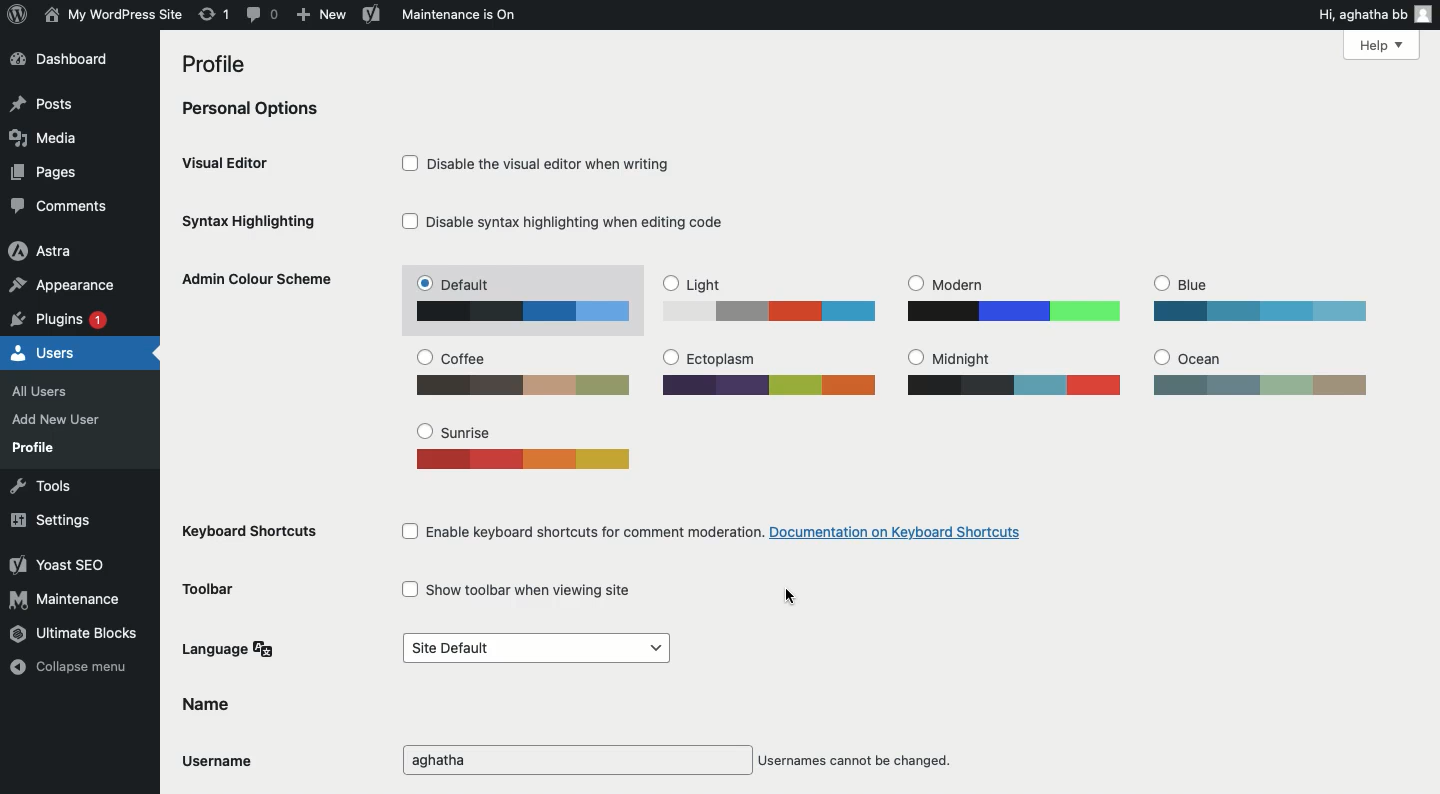 The height and width of the screenshot is (794, 1440). I want to click on Toolbar, so click(211, 588).